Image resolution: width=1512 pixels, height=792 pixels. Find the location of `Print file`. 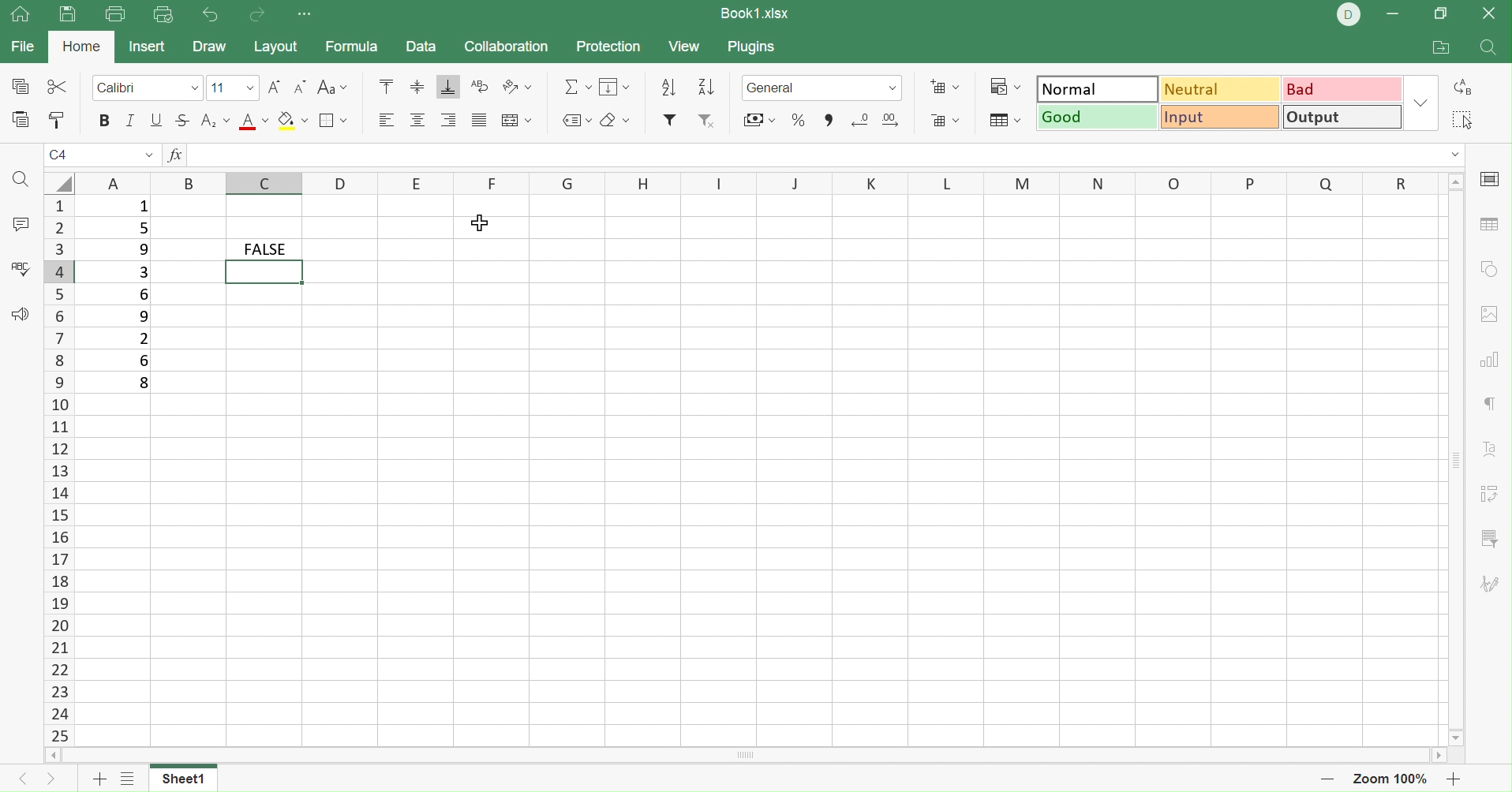

Print file is located at coordinates (118, 15).